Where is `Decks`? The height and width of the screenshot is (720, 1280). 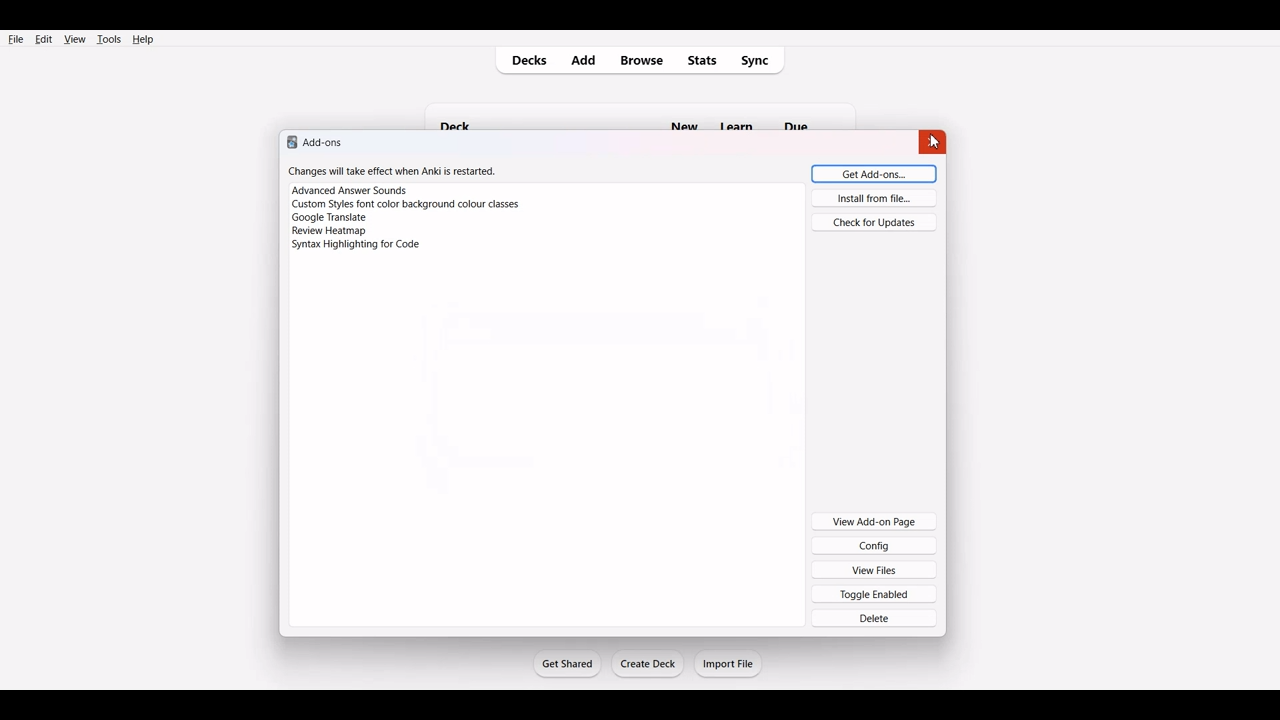
Decks is located at coordinates (525, 61).